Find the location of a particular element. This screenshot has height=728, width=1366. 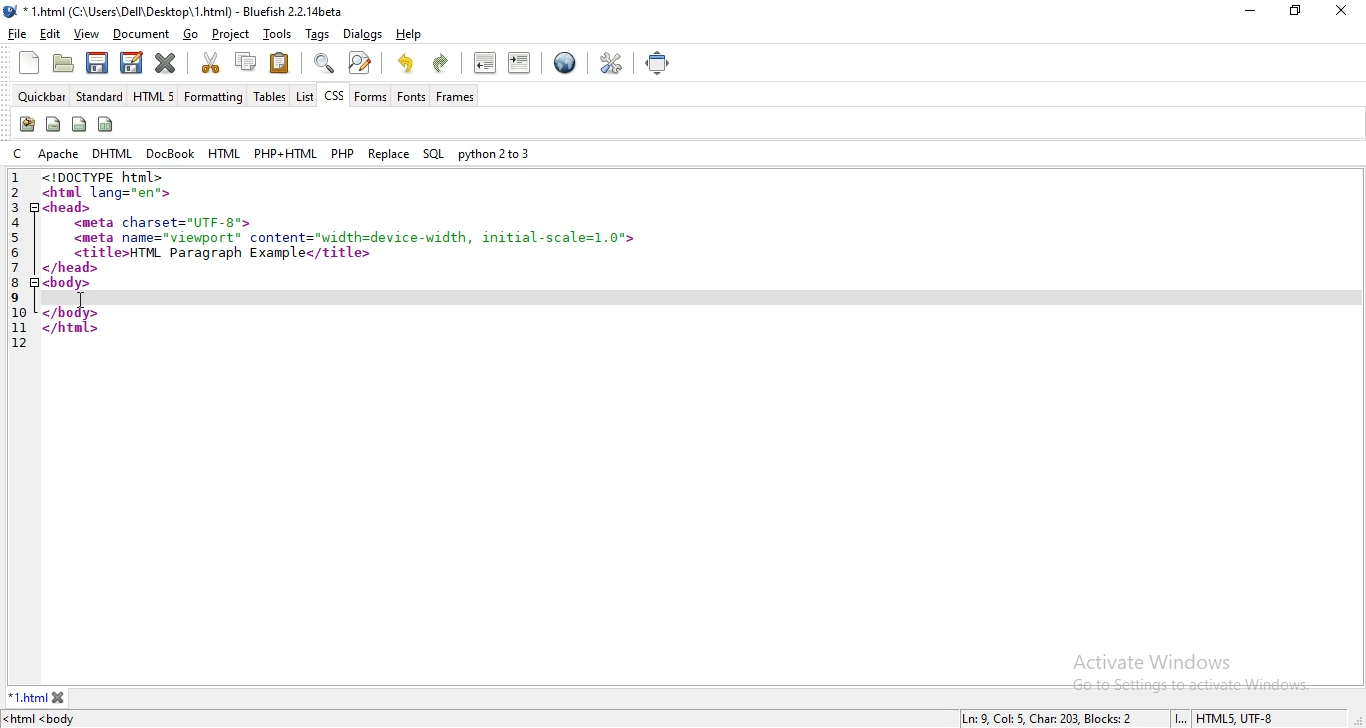

minimize is located at coordinates (1252, 11).